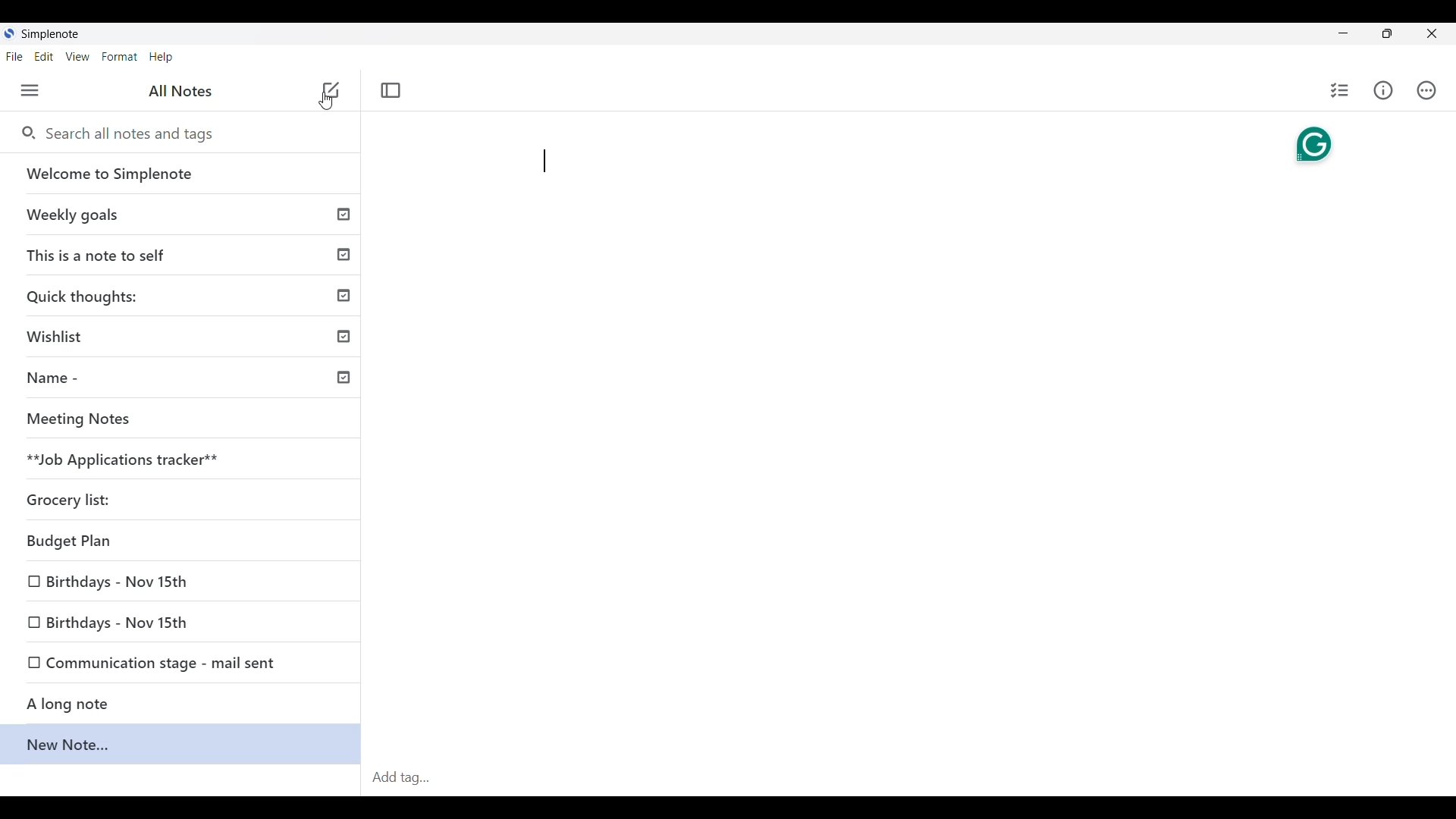 This screenshot has width=1456, height=819. Describe the element at coordinates (187, 295) in the screenshot. I see `Quick thoughts:` at that location.